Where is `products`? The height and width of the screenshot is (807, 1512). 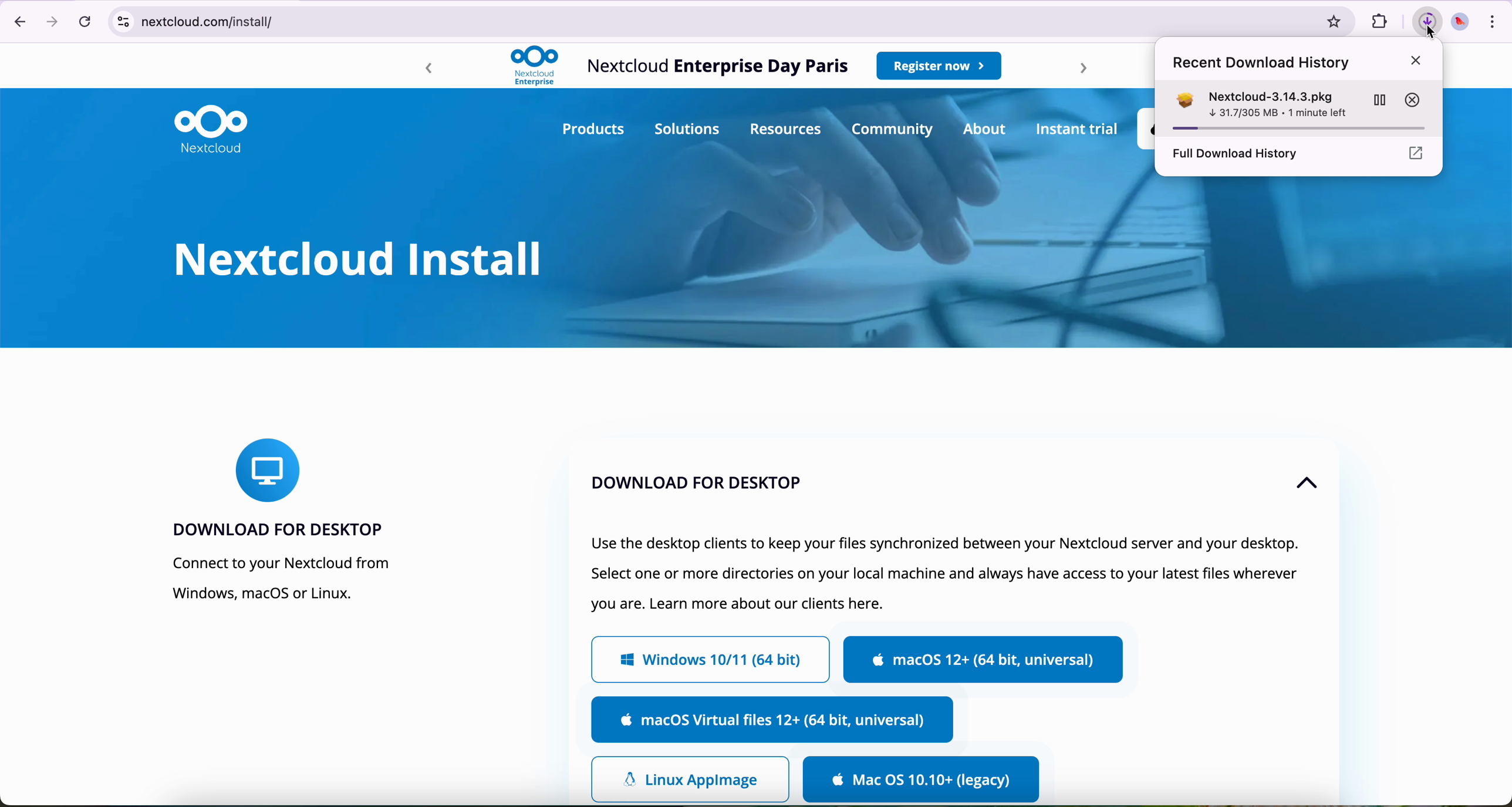 products is located at coordinates (592, 130).